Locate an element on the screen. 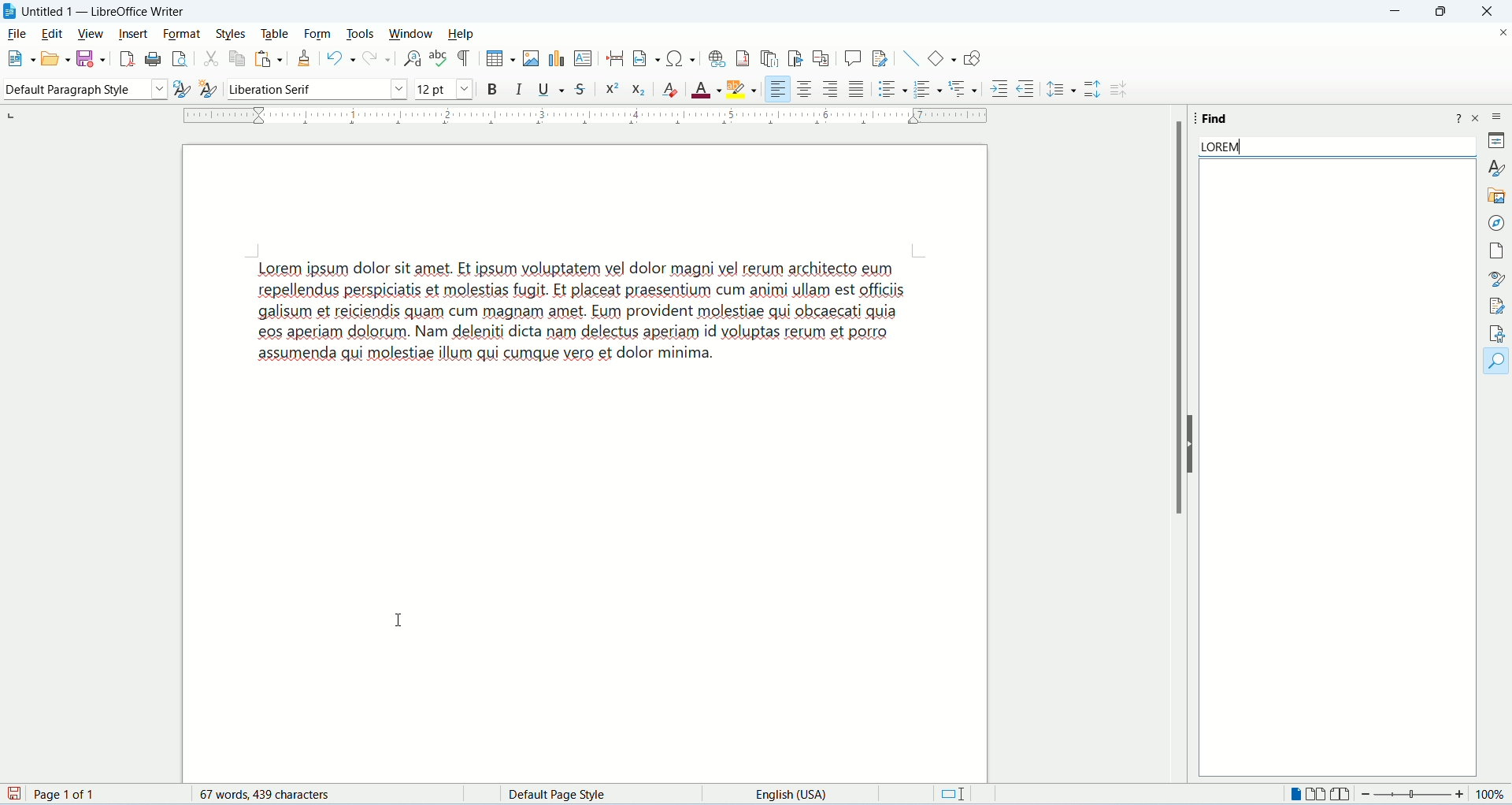 The width and height of the screenshot is (1512, 805). find and replace is located at coordinates (411, 59).